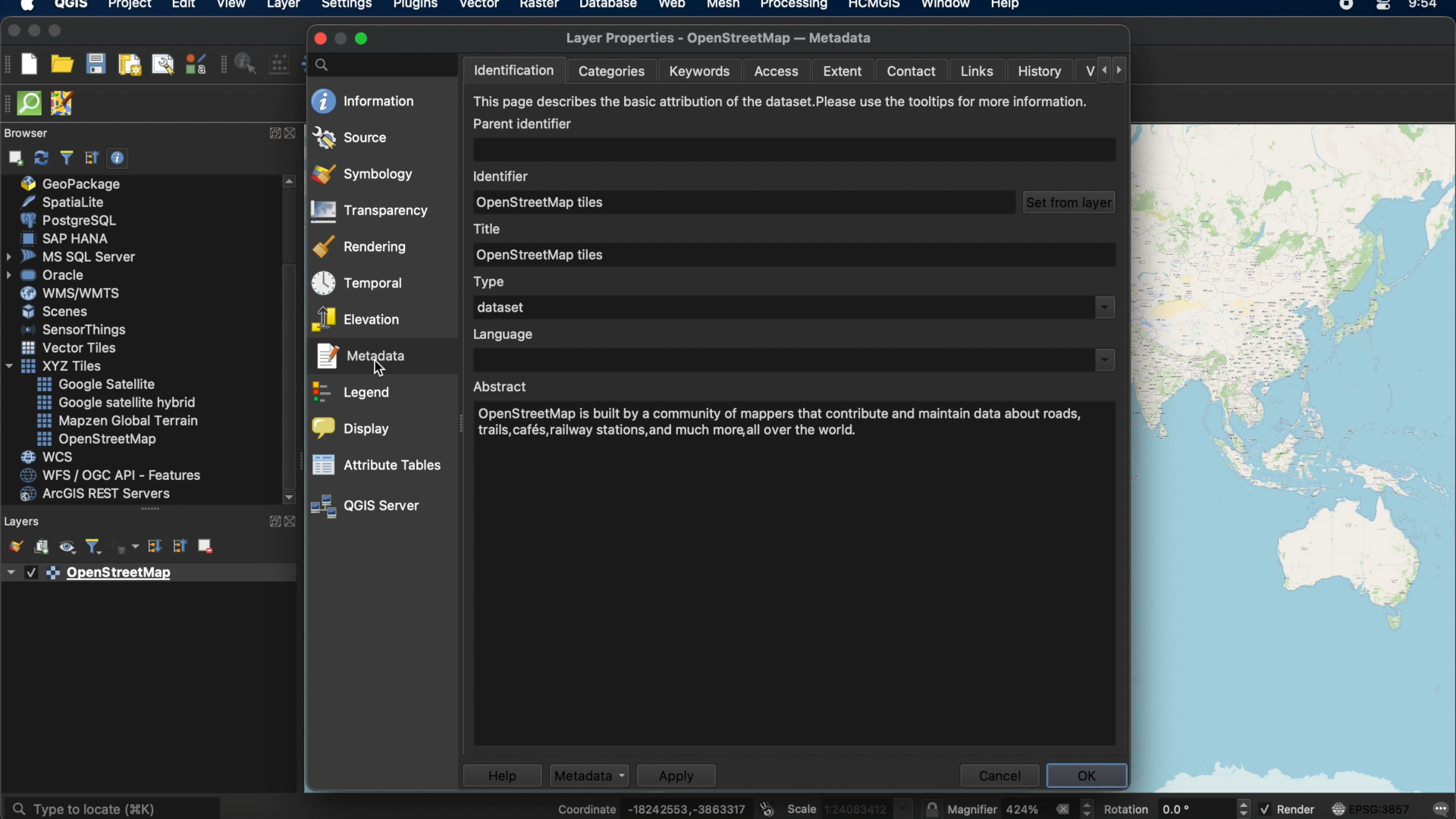 The height and width of the screenshot is (819, 1456). Describe the element at coordinates (1288, 810) in the screenshot. I see `render` at that location.